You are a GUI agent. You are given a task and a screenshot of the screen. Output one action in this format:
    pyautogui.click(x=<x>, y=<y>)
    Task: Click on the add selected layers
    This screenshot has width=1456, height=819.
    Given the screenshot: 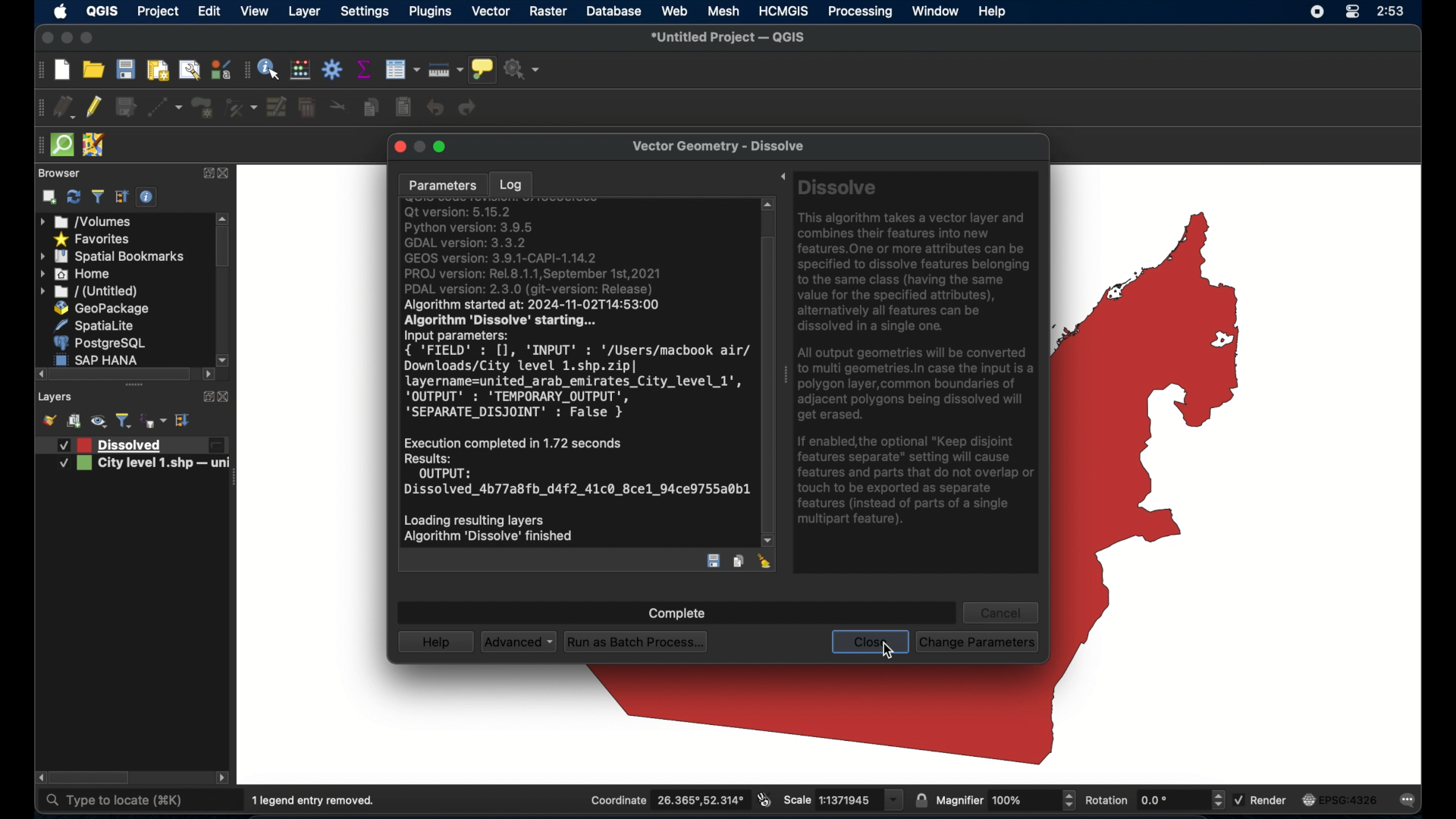 What is the action you would take?
    pyautogui.click(x=49, y=197)
    